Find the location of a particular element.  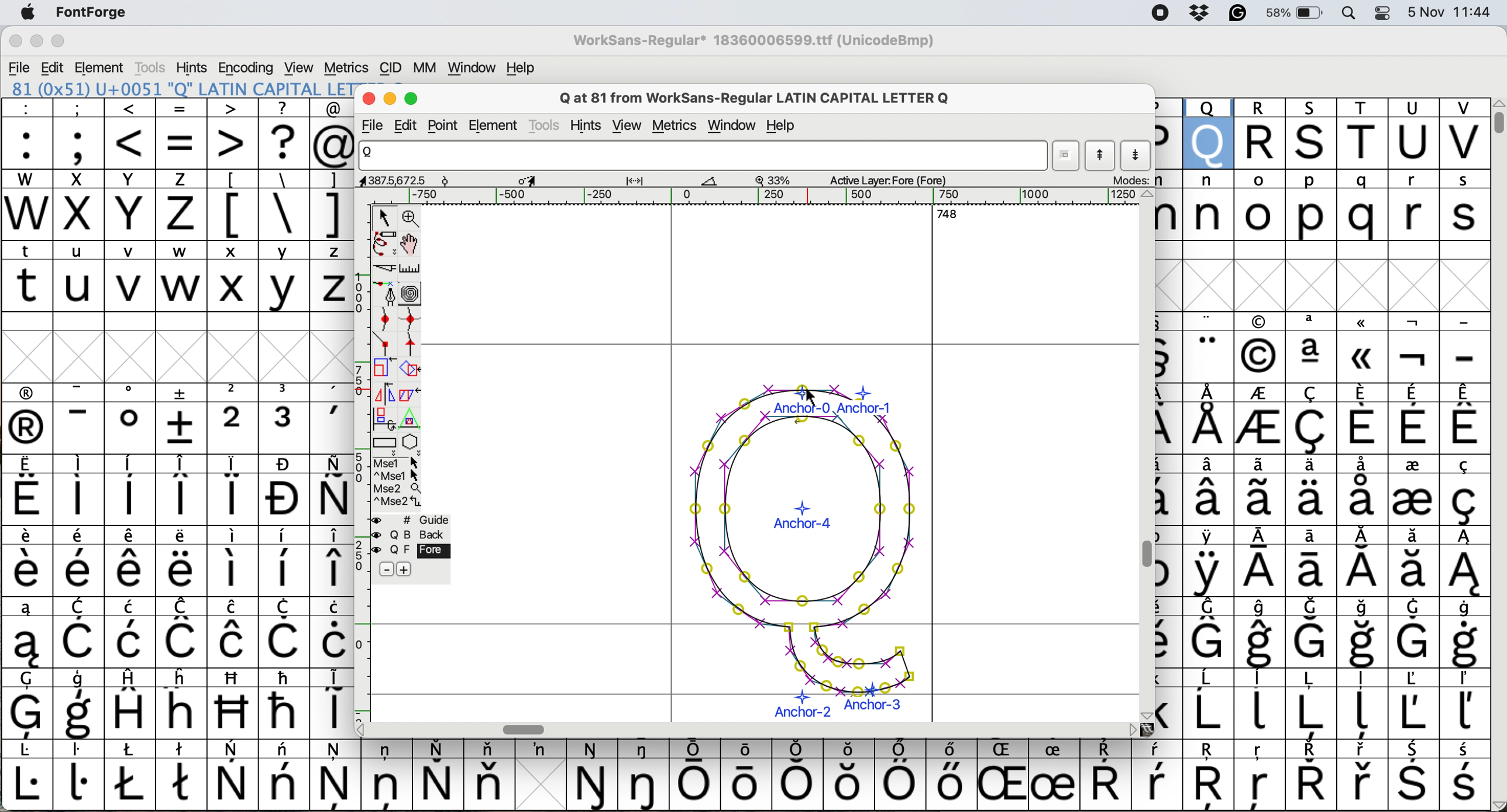

tools is located at coordinates (544, 126).